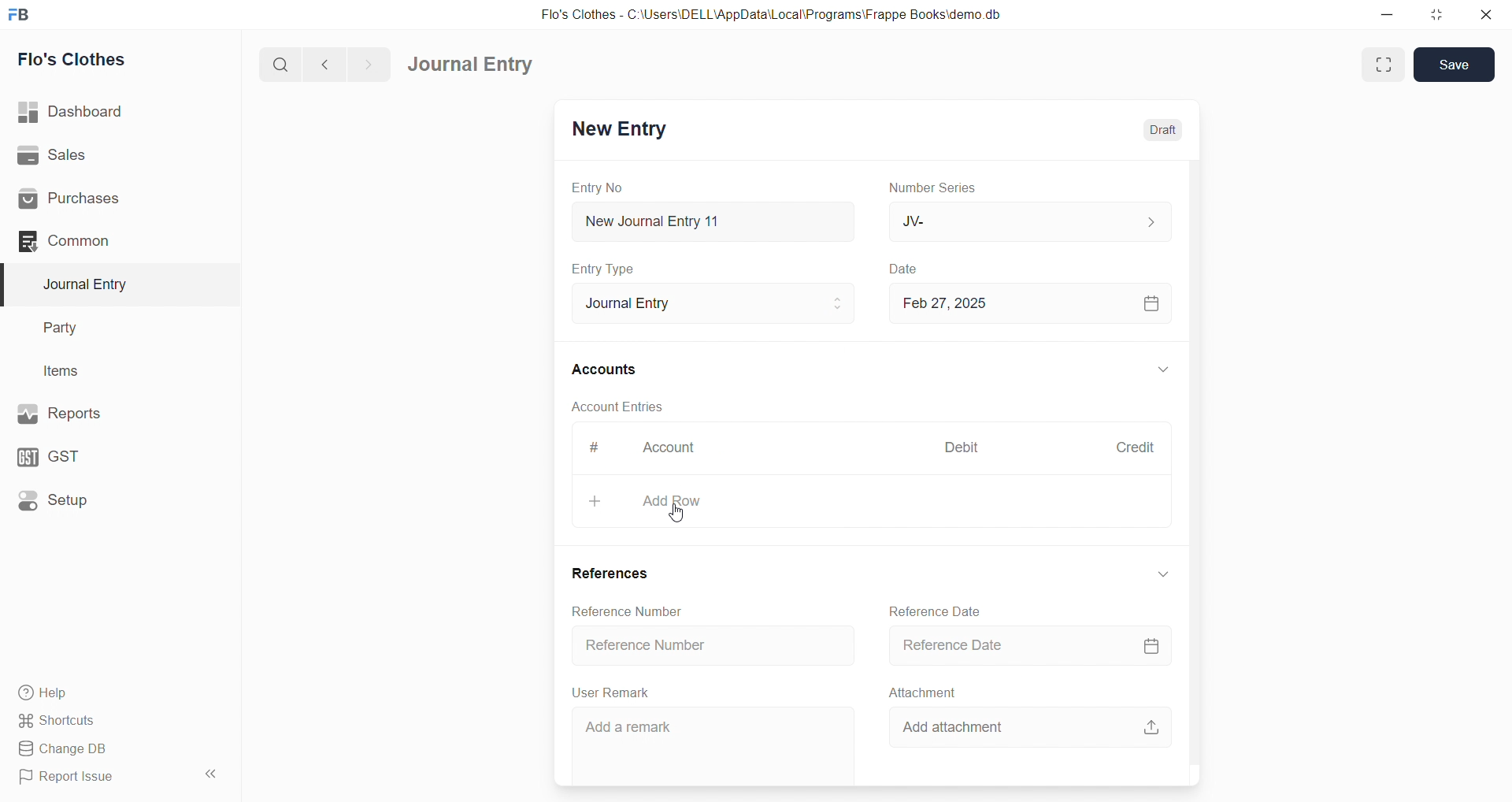 This screenshot has height=802, width=1512. What do you see at coordinates (597, 188) in the screenshot?
I see `Entry No` at bounding box center [597, 188].